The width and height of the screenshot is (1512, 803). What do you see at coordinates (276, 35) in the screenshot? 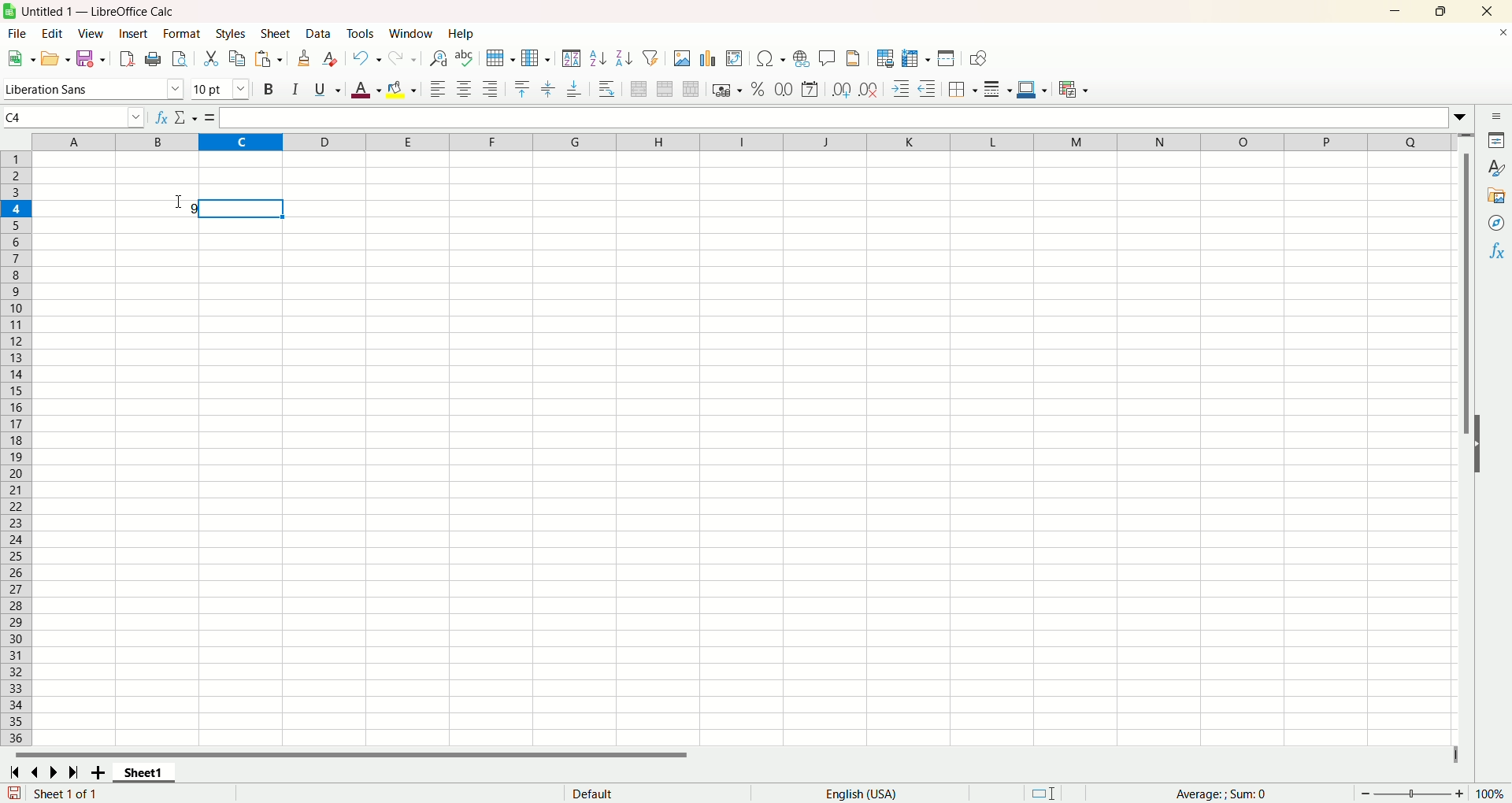
I see `sheet` at bounding box center [276, 35].